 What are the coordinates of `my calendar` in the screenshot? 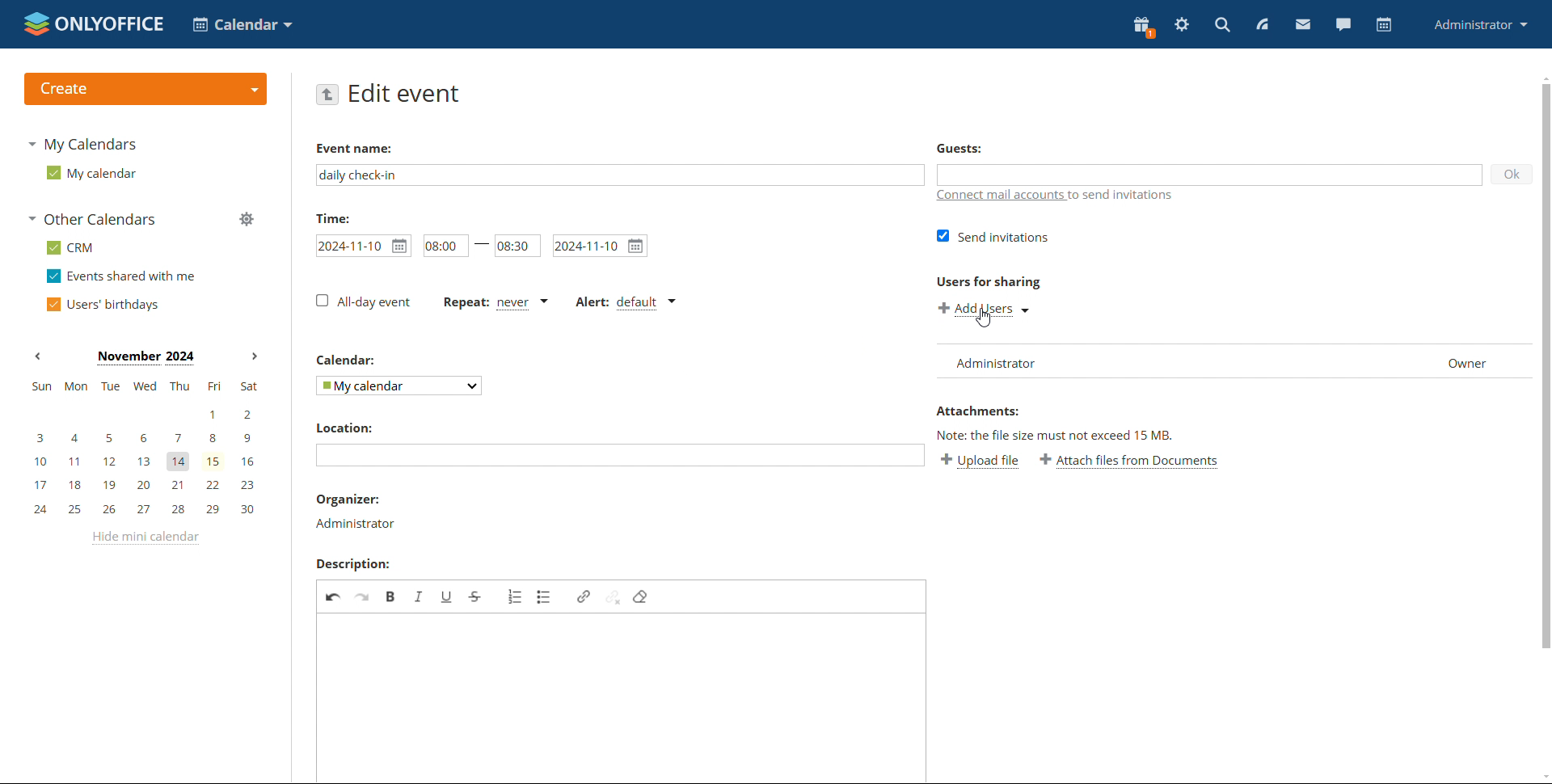 It's located at (90, 172).